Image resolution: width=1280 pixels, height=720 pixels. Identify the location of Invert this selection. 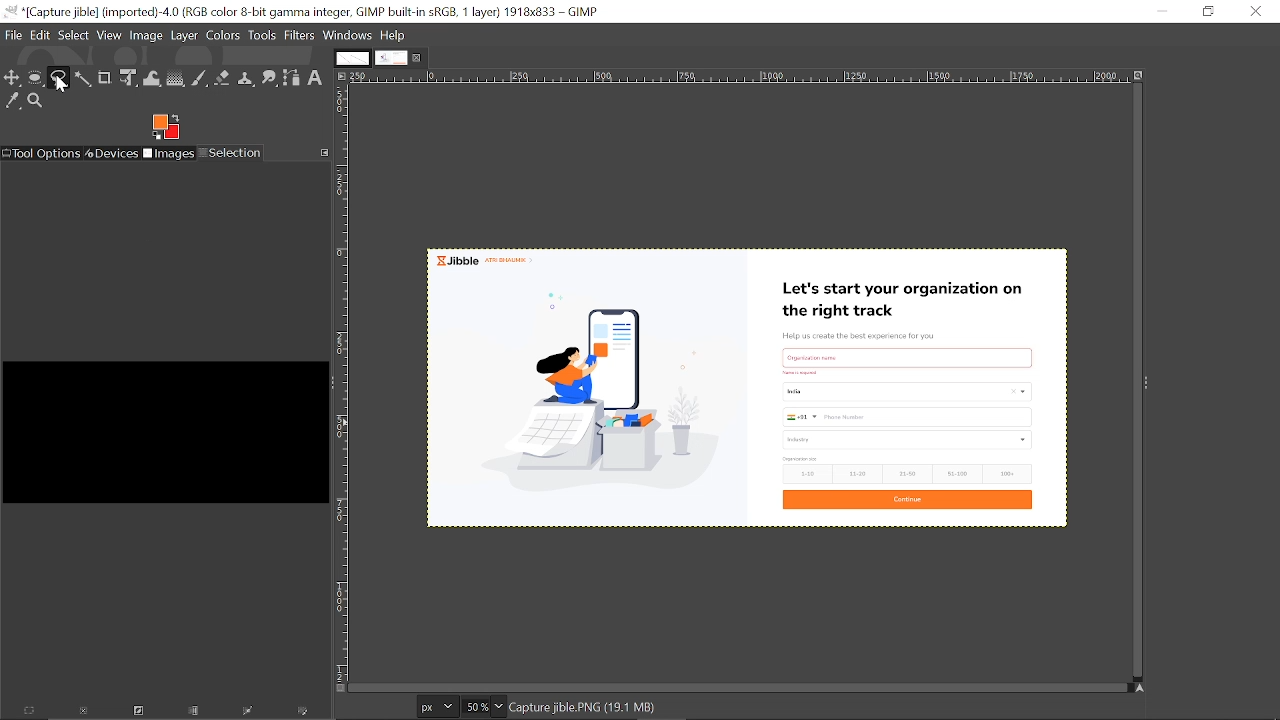
(135, 713).